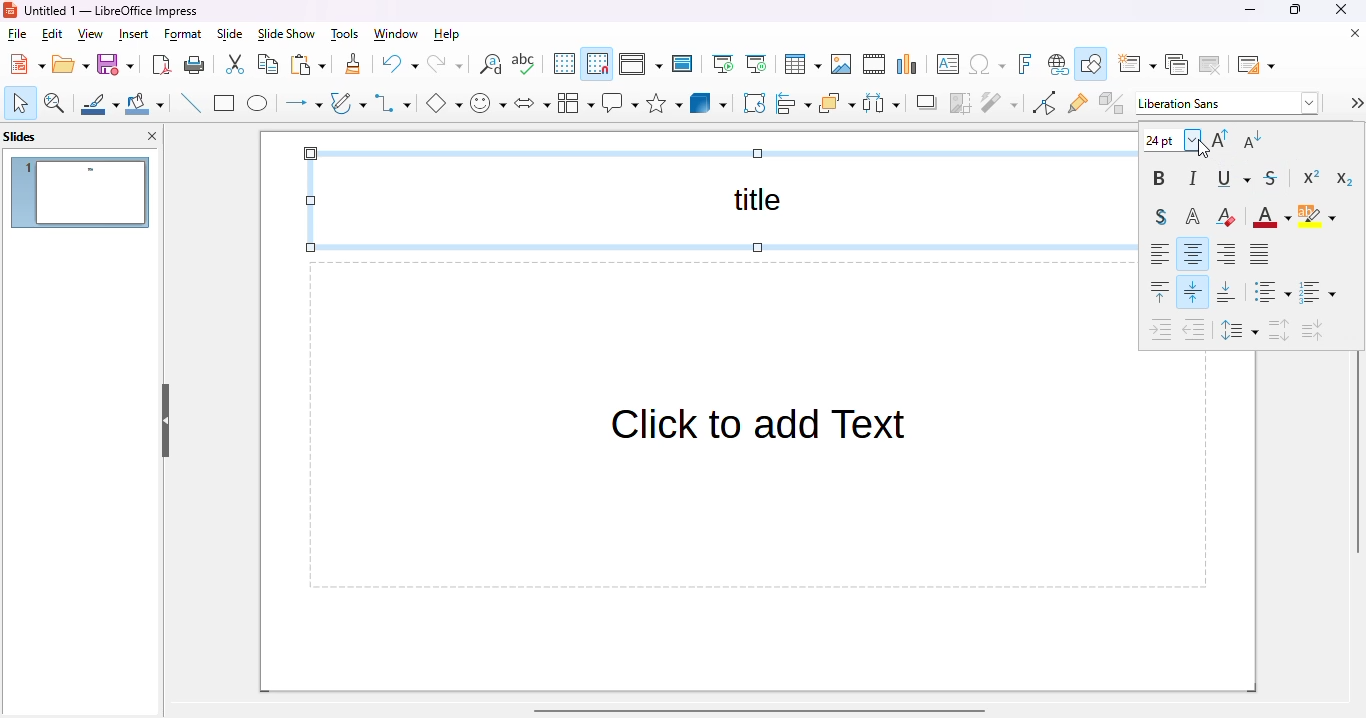  Describe the element at coordinates (794, 102) in the screenshot. I see `align objects` at that location.